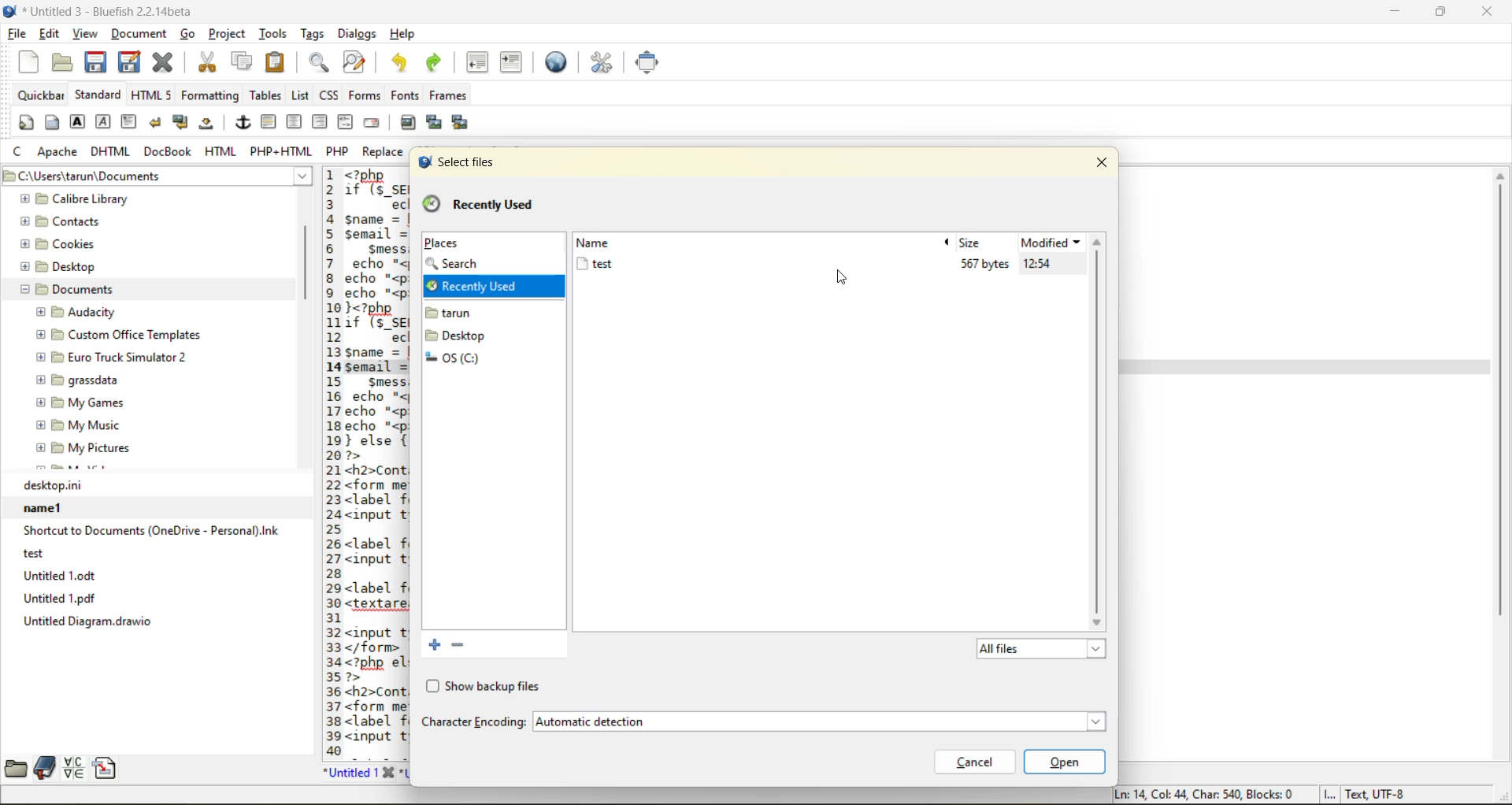 The height and width of the screenshot is (805, 1512). What do you see at coordinates (243, 124) in the screenshot?
I see `anchor` at bounding box center [243, 124].